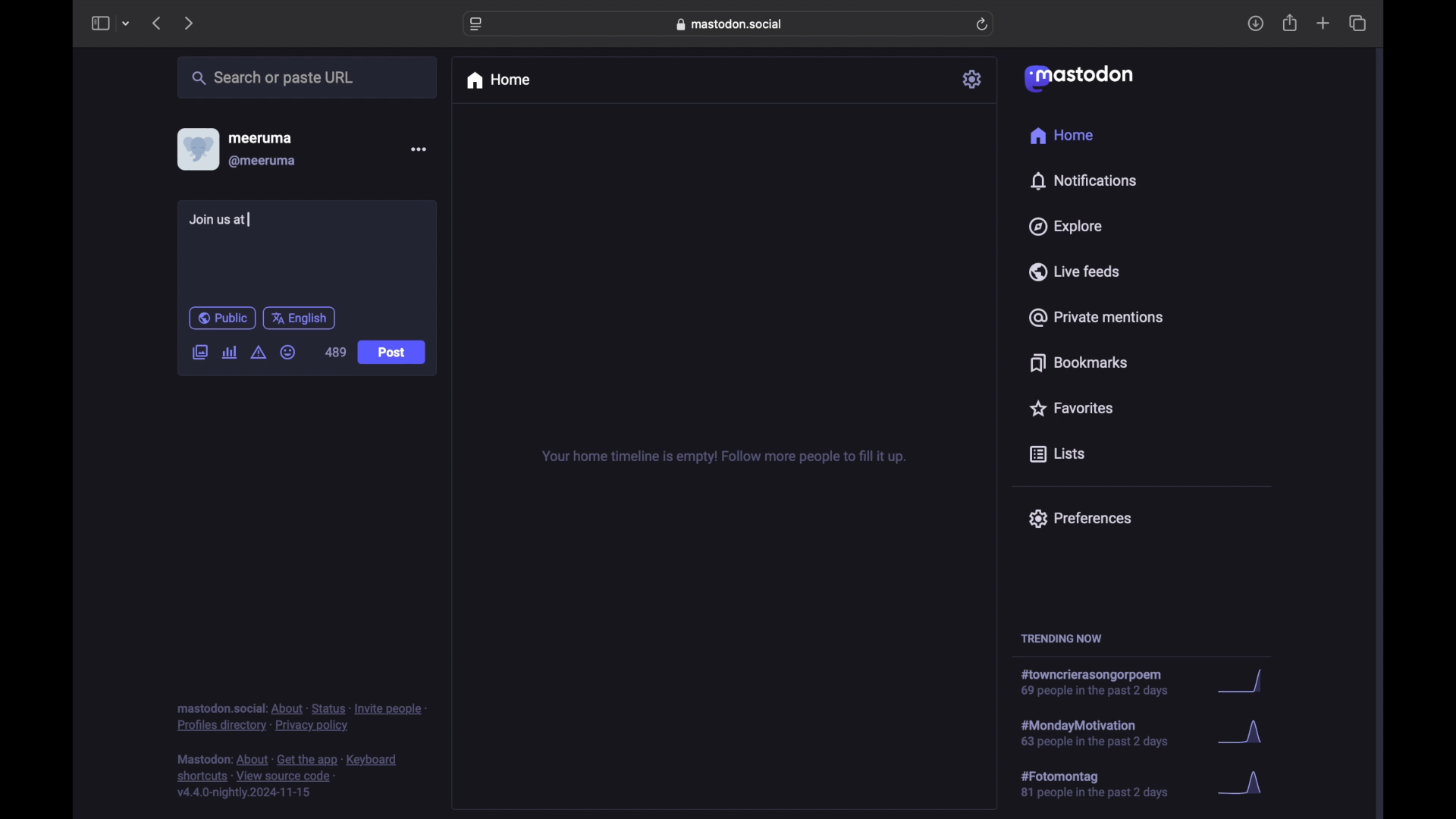 The height and width of the screenshot is (819, 1456). Describe the element at coordinates (1105, 785) in the screenshot. I see `hashtag trend` at that location.